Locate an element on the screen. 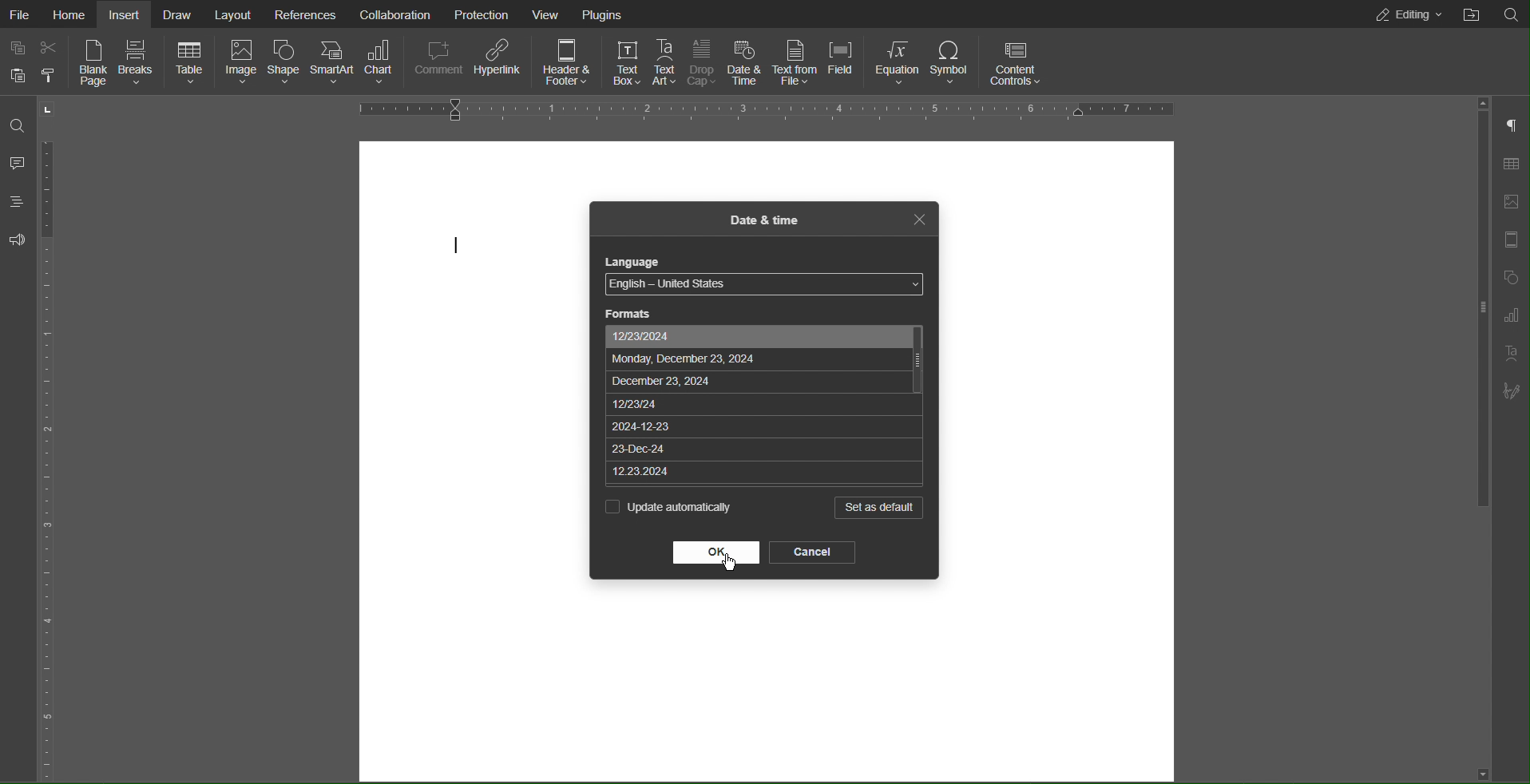 The width and height of the screenshot is (1530, 784). Signature is located at coordinates (1514, 392).